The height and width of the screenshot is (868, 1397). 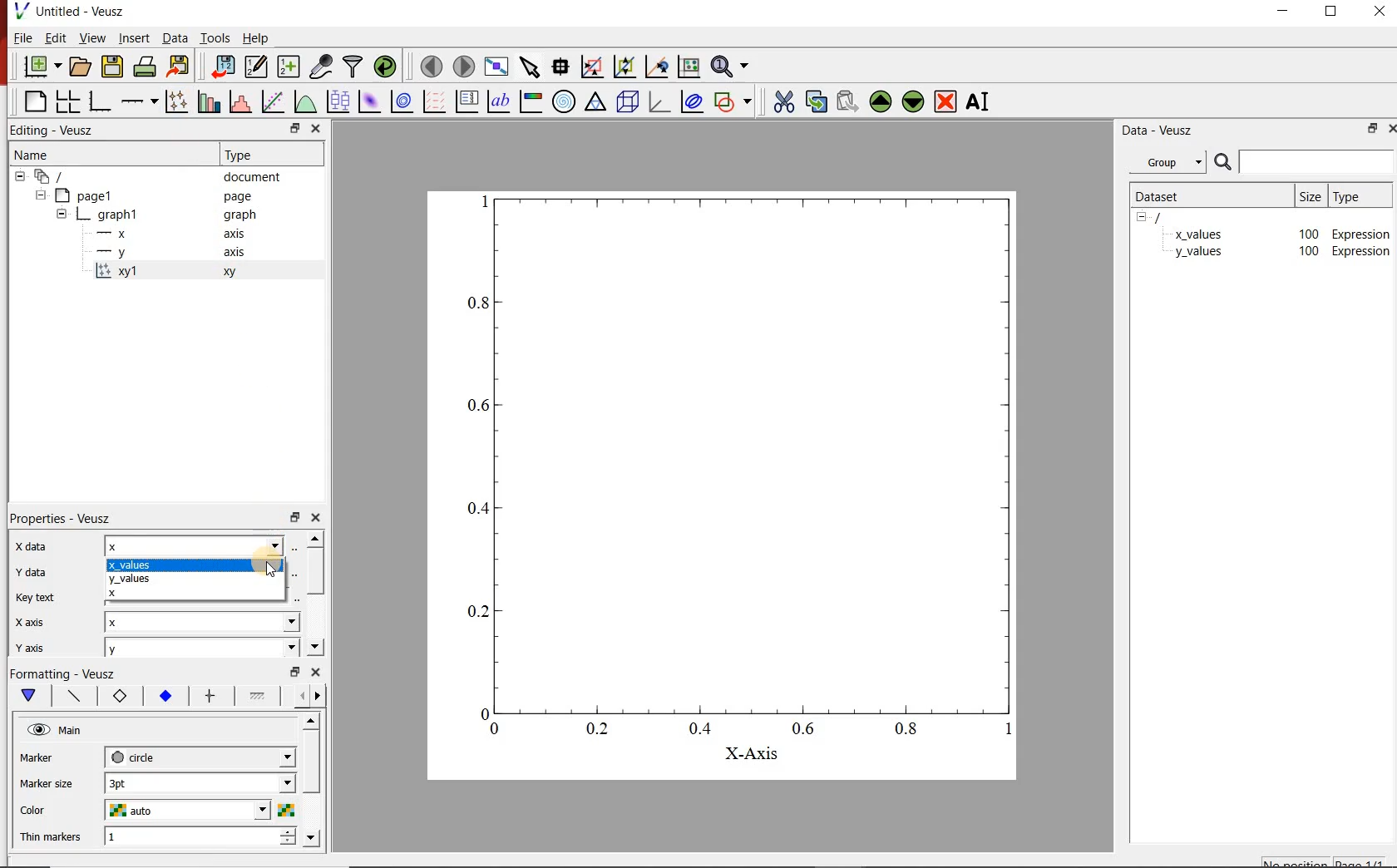 What do you see at coordinates (815, 102) in the screenshot?
I see `copy the selected widget` at bounding box center [815, 102].